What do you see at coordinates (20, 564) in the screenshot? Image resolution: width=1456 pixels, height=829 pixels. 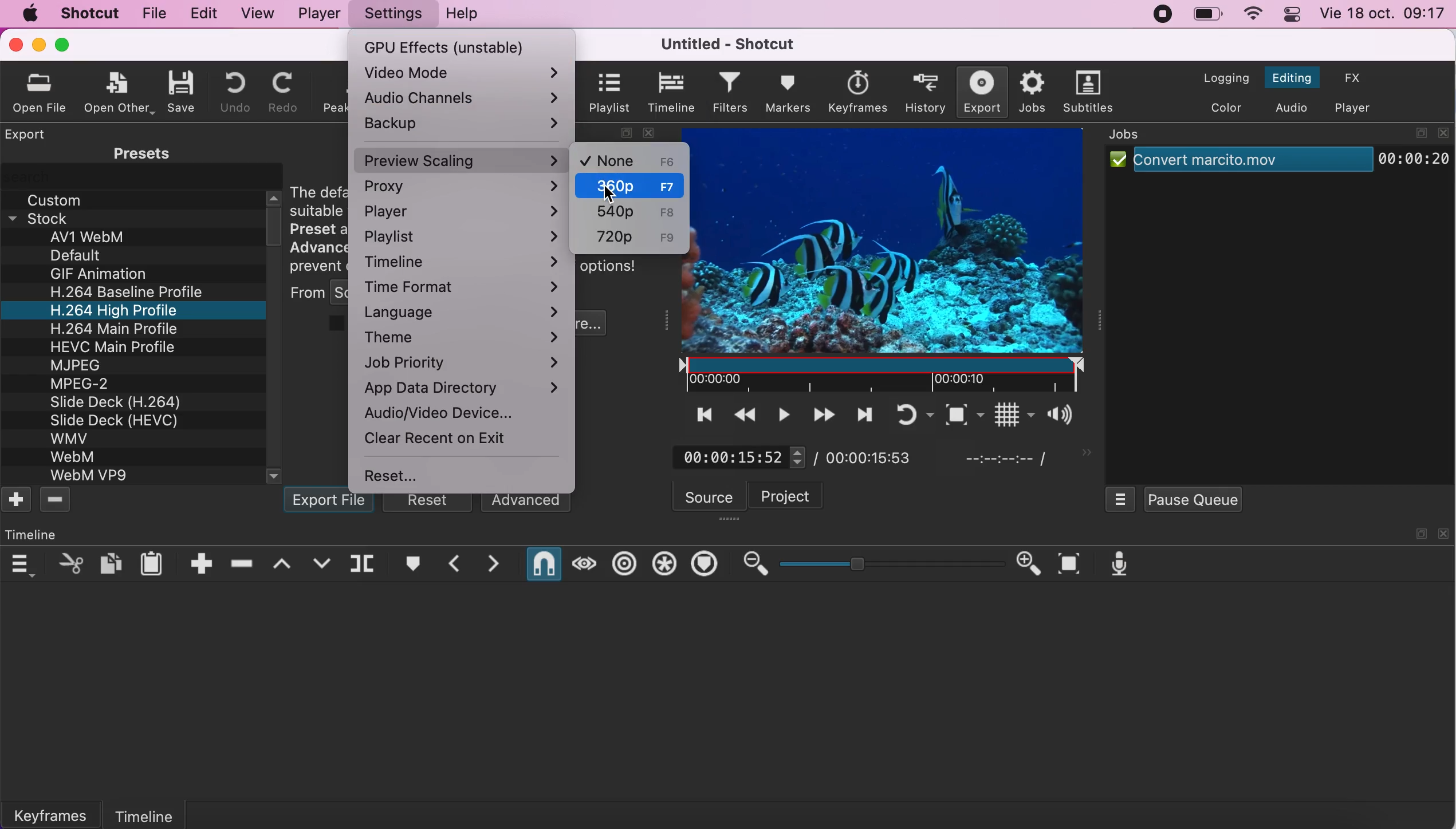 I see `timeline menu` at bounding box center [20, 564].